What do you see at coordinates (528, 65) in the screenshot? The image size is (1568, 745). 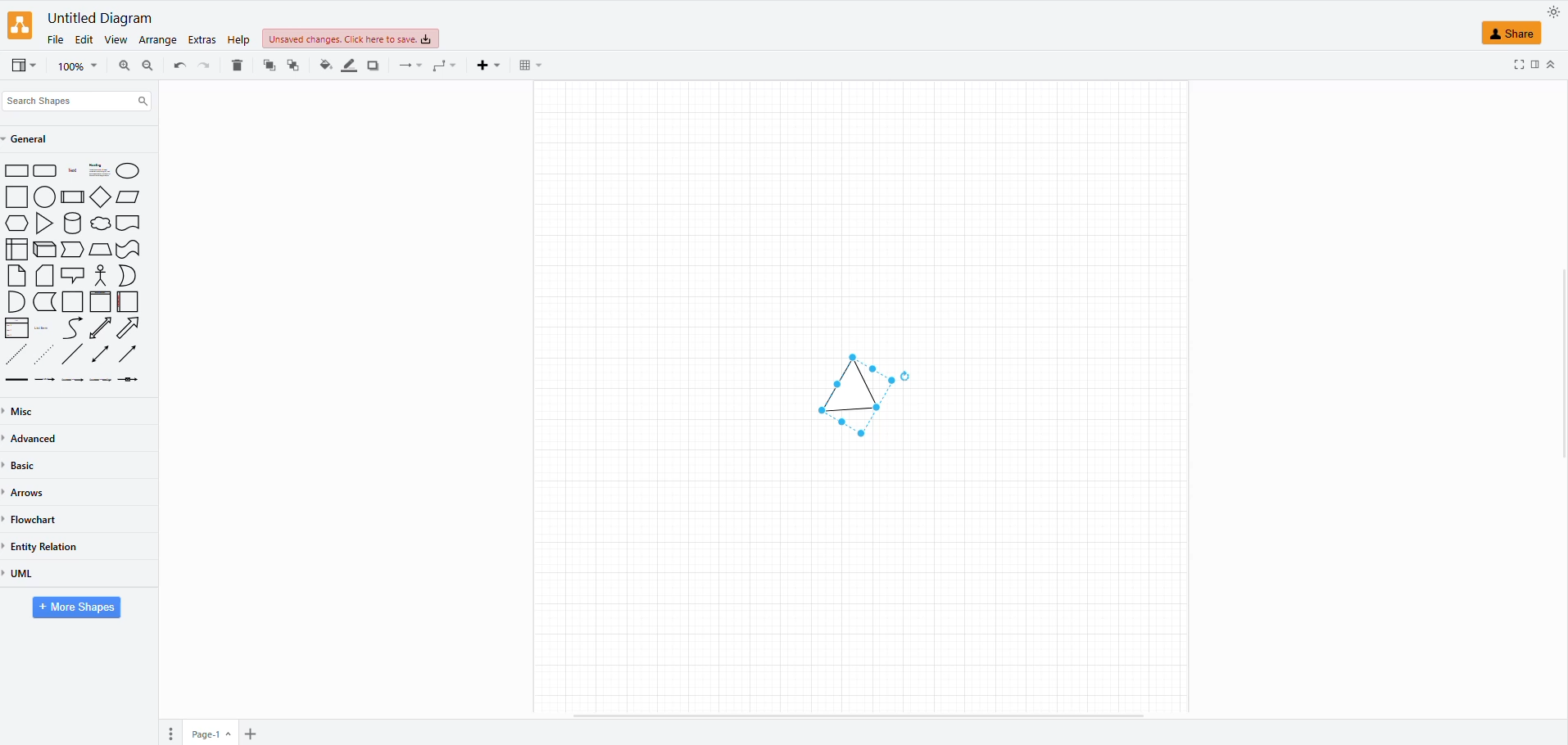 I see `table` at bounding box center [528, 65].